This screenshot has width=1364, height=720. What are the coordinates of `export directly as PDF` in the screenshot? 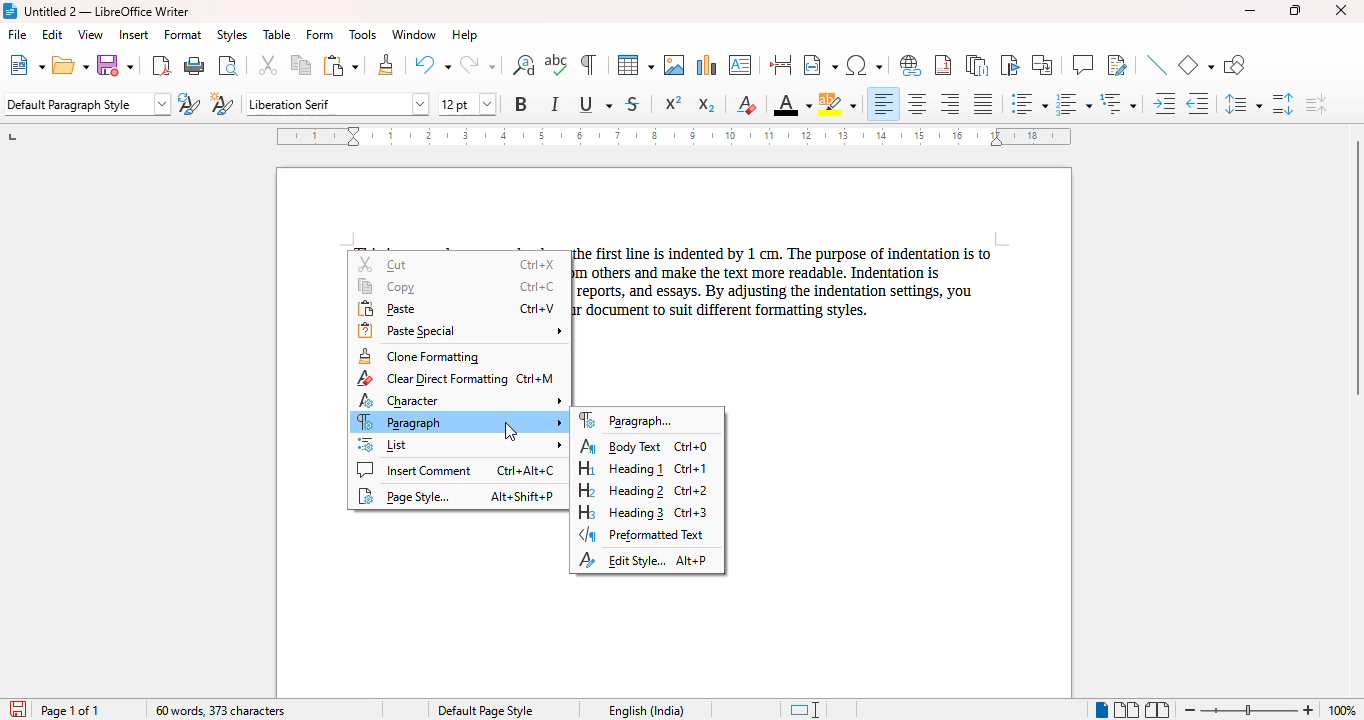 It's located at (160, 65).